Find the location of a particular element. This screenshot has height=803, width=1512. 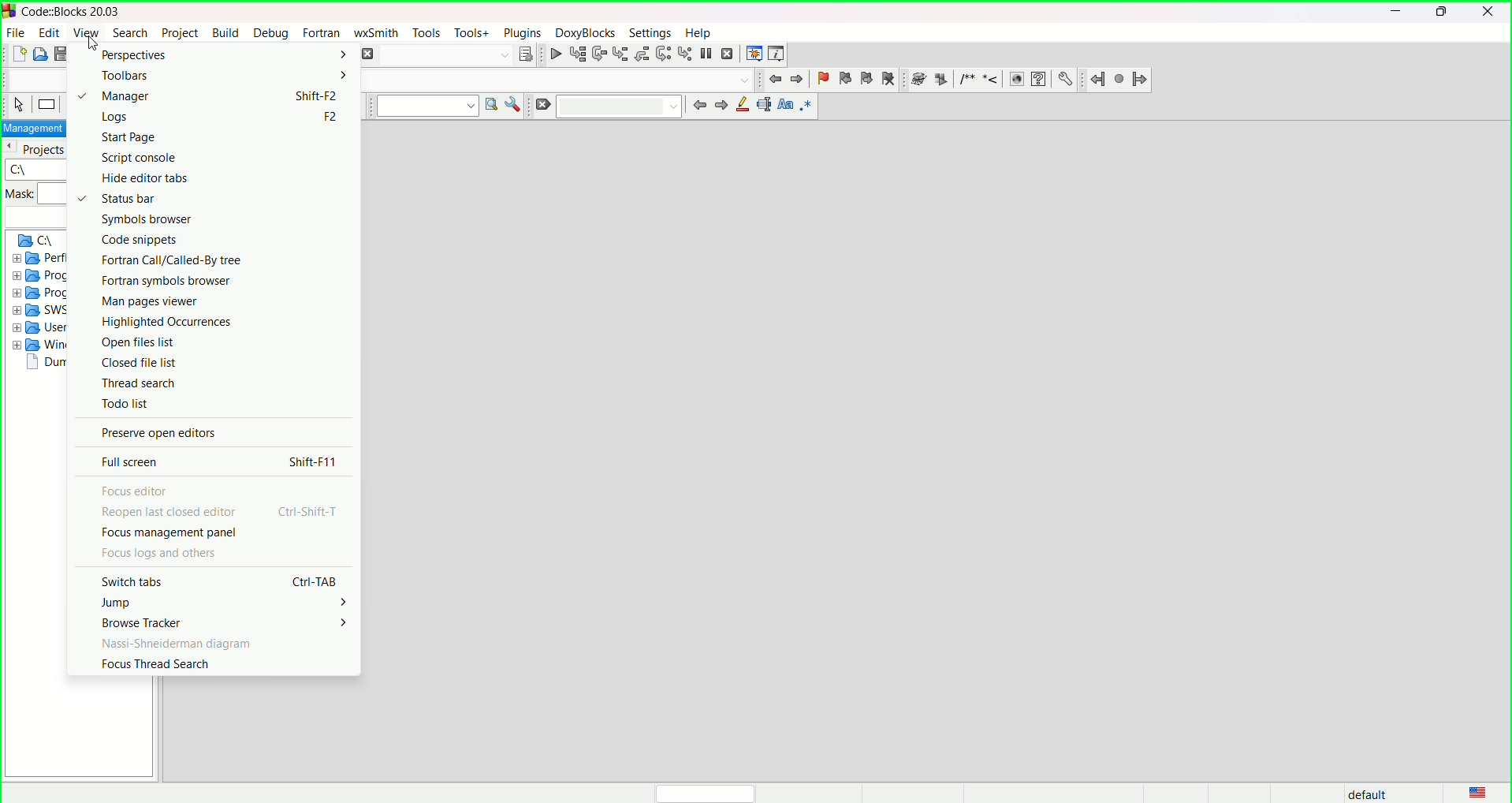

debugging window is located at coordinates (754, 54).